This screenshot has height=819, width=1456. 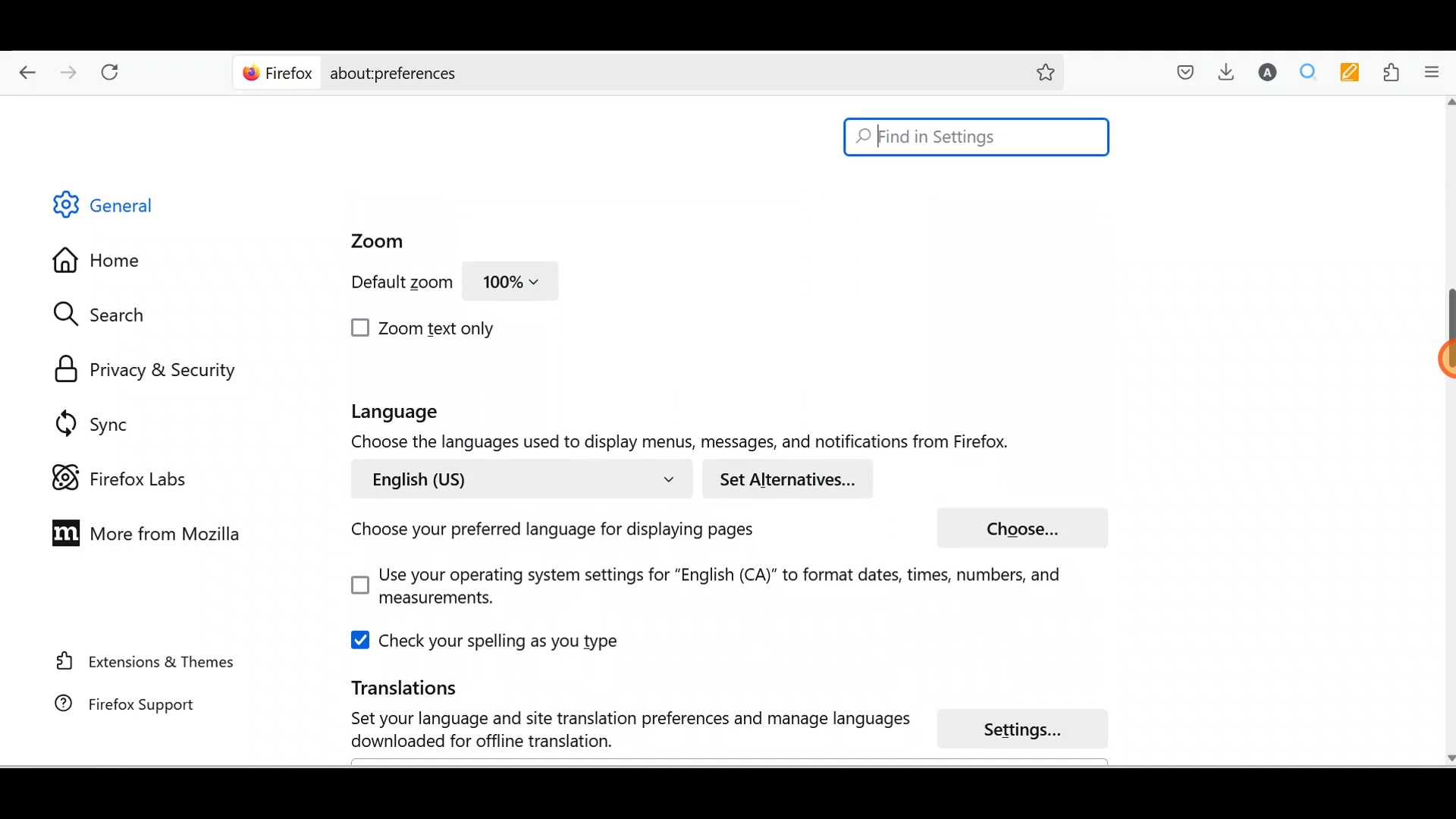 I want to click on More from Mozilla, so click(x=142, y=532).